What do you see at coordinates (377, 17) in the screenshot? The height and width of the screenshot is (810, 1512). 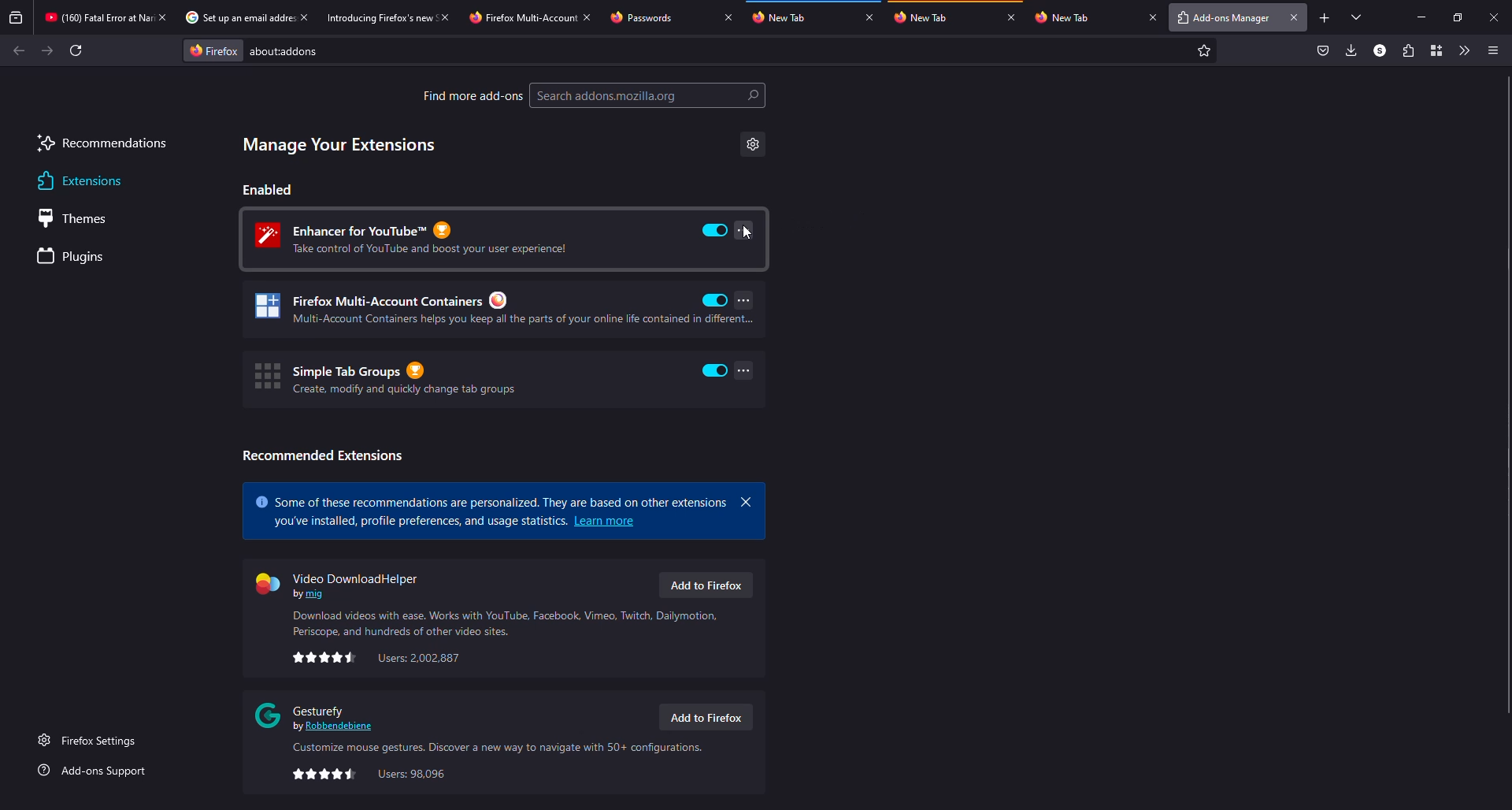 I see `tab` at bounding box center [377, 17].